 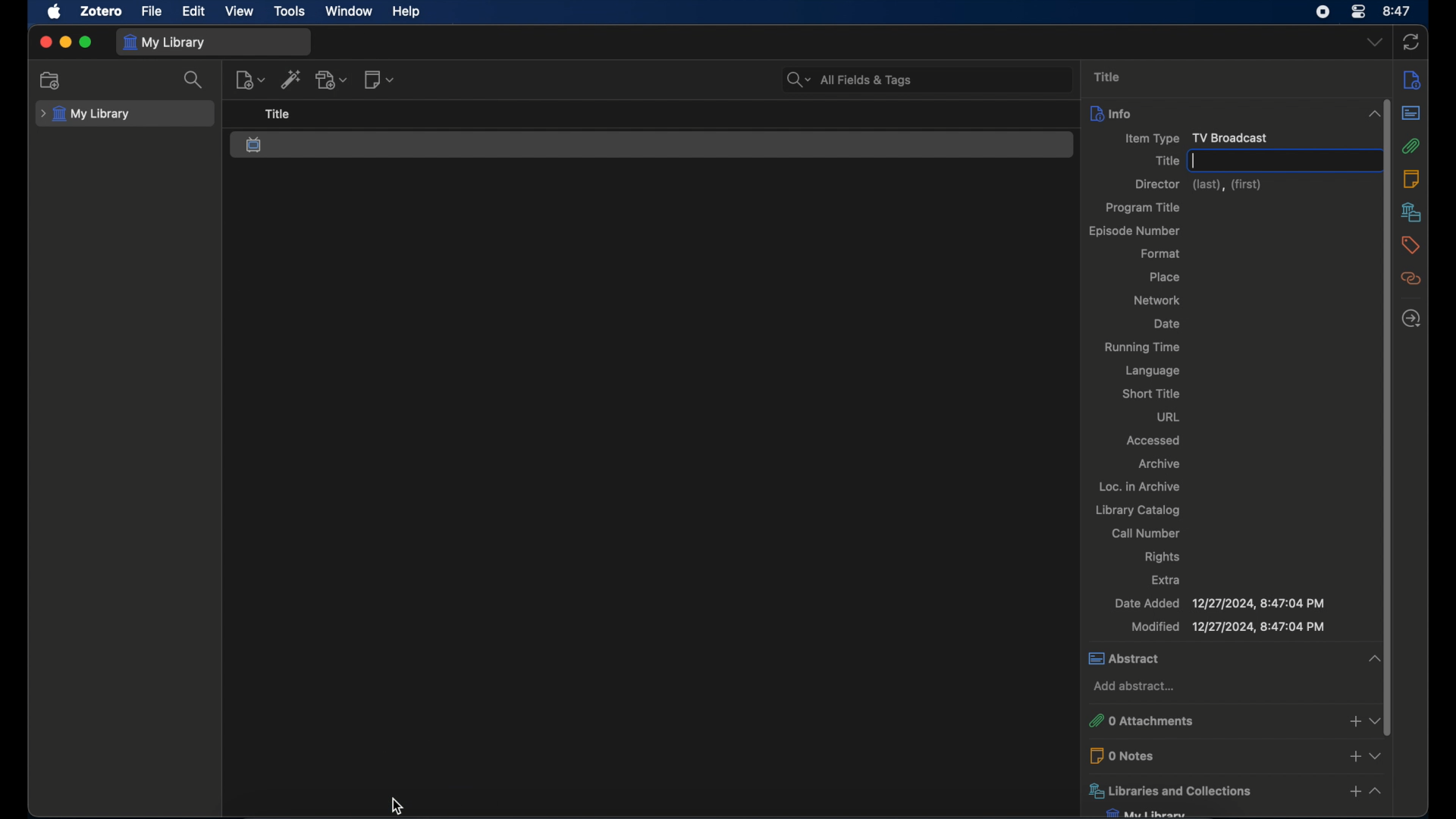 I want to click on date, so click(x=1166, y=325).